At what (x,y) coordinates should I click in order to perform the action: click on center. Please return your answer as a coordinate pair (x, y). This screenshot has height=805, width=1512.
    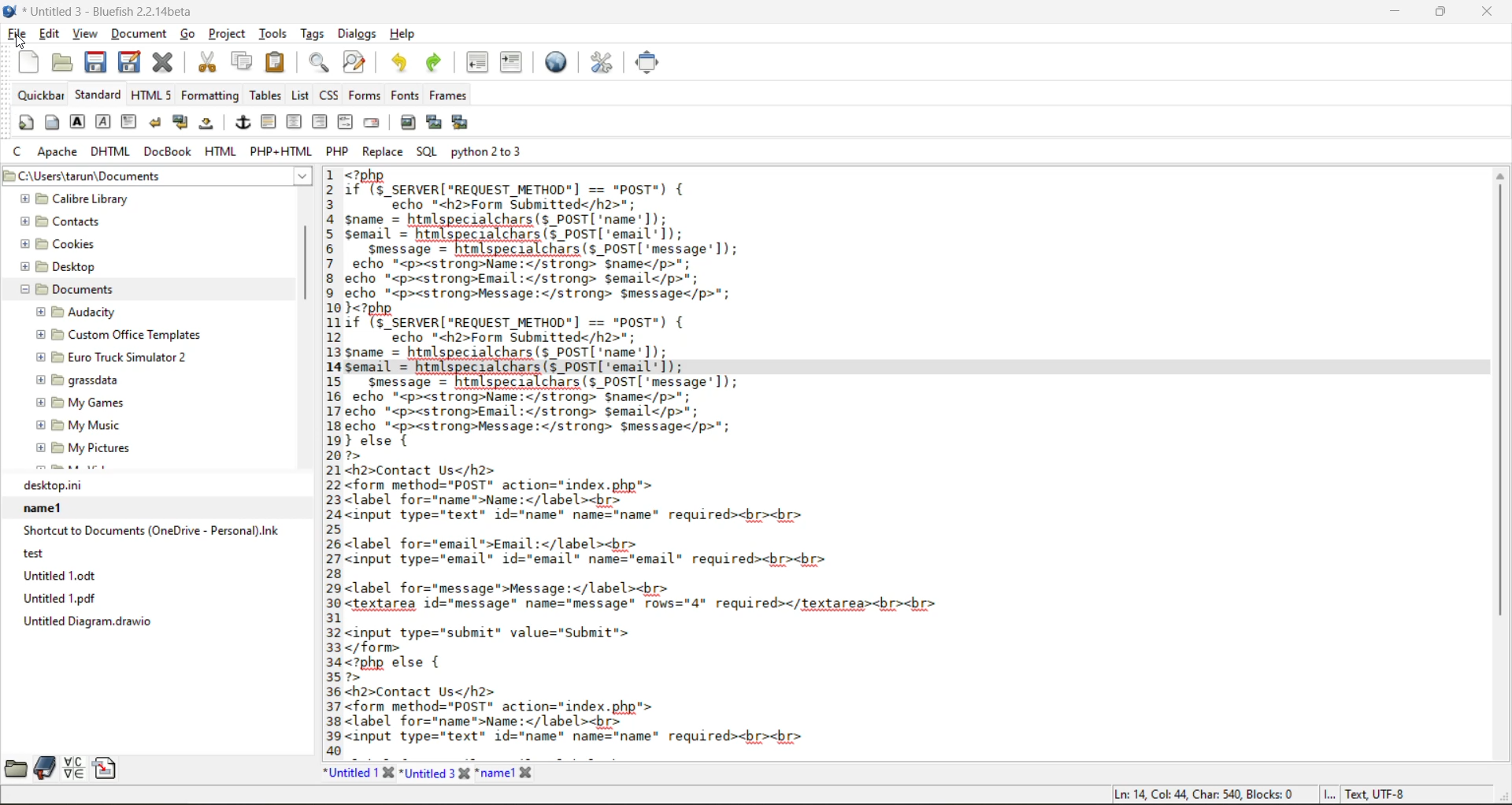
    Looking at the image, I should click on (295, 122).